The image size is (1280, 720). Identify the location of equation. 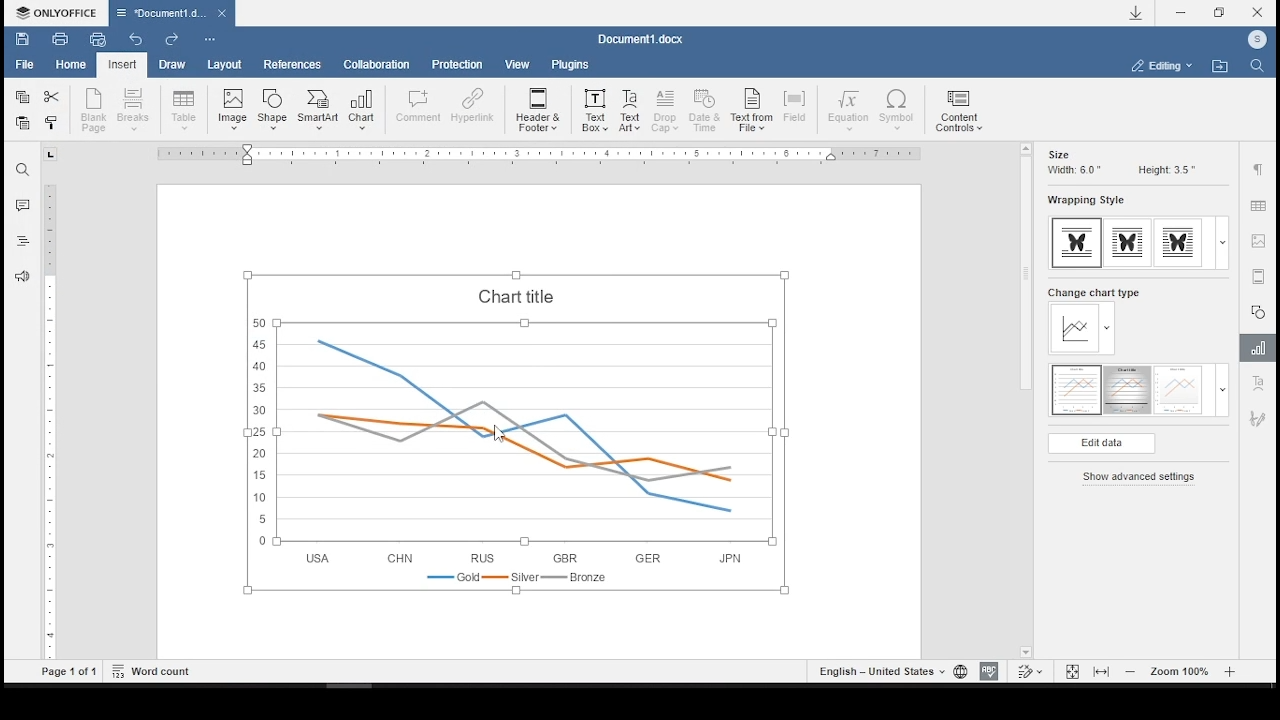
(849, 110).